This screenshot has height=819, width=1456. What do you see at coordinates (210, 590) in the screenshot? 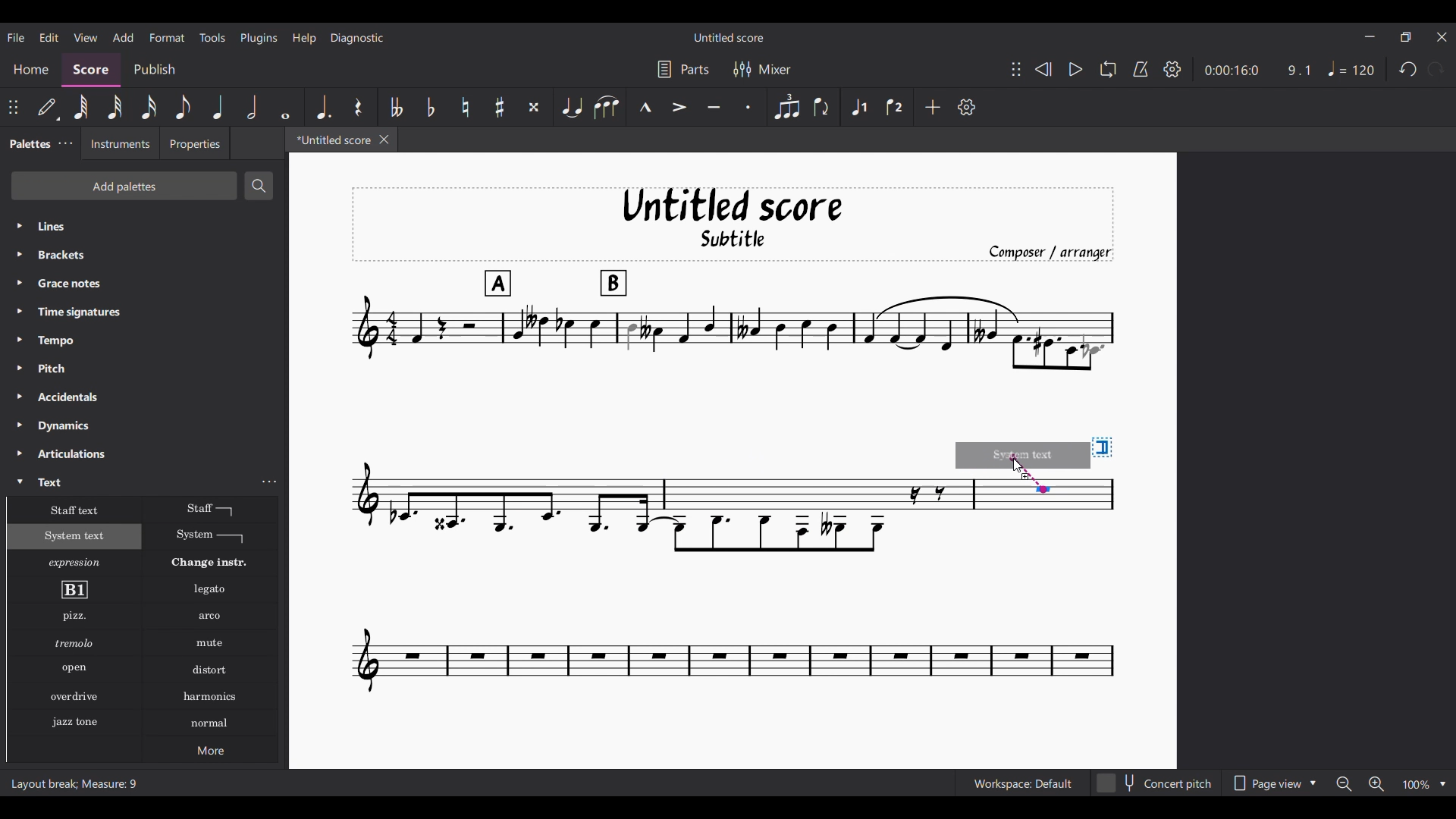
I see `Legato` at bounding box center [210, 590].